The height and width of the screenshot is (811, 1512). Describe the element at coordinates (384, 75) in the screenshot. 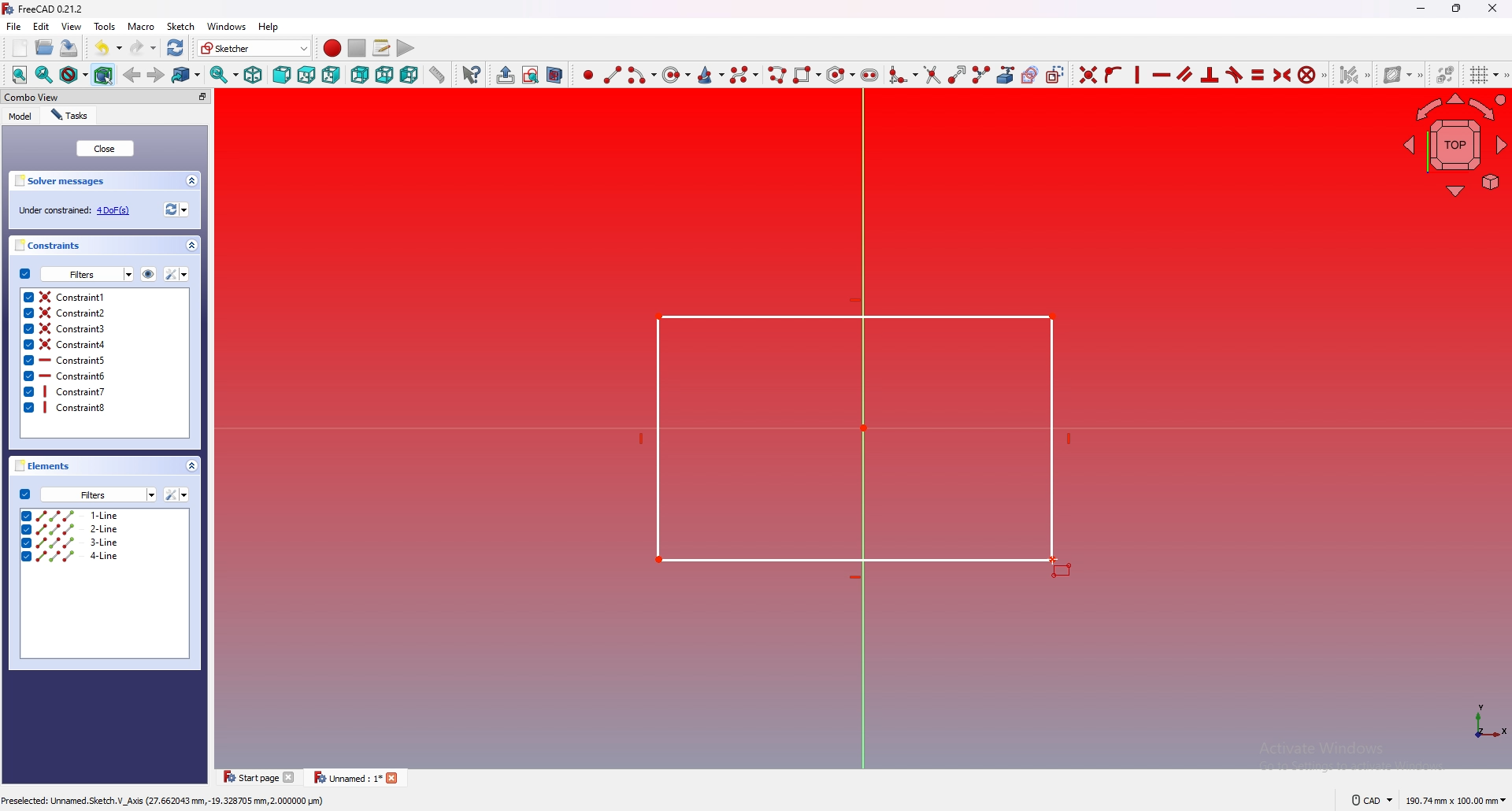

I see `bottom` at that location.